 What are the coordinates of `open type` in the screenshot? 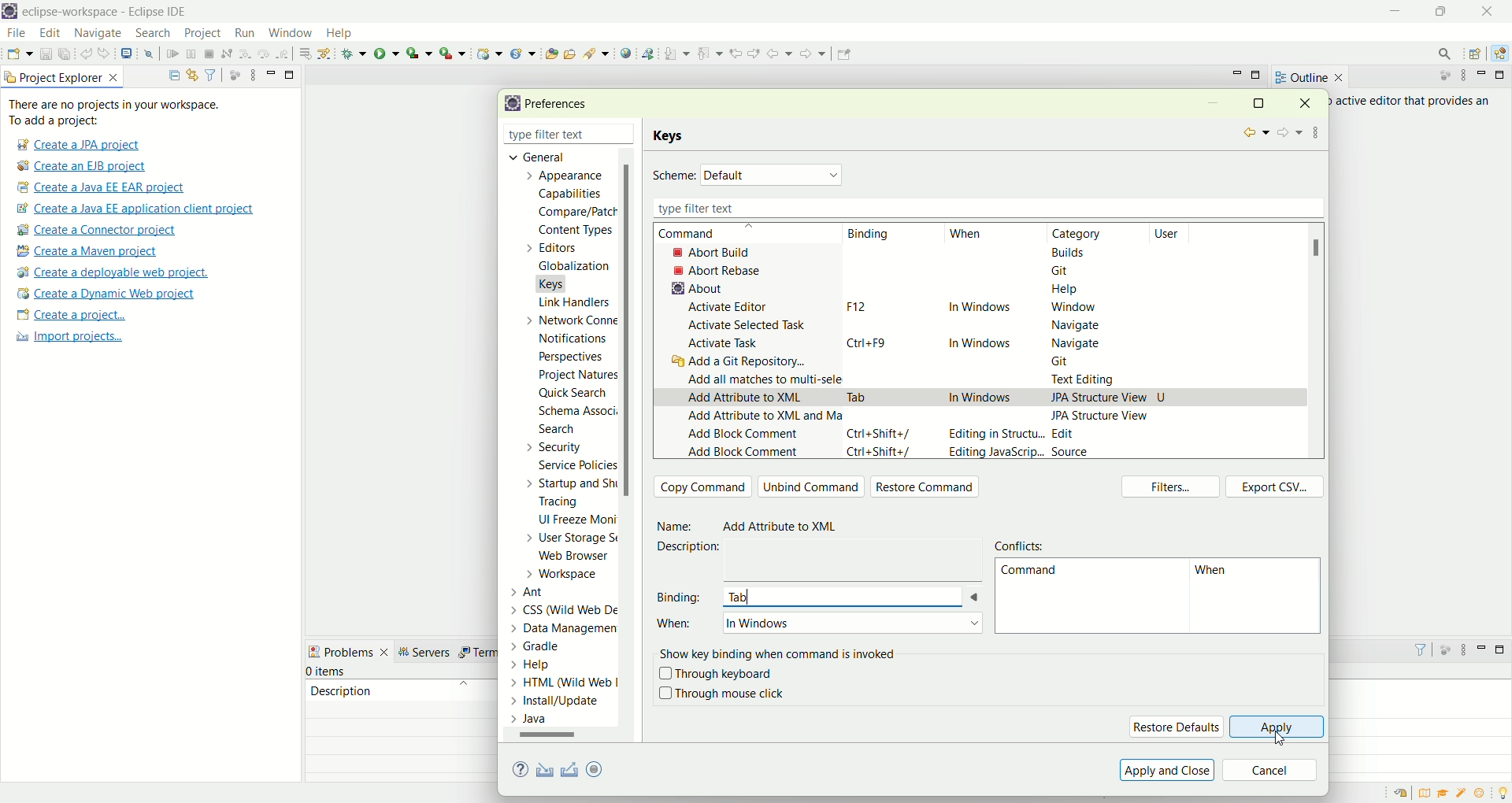 It's located at (550, 53).